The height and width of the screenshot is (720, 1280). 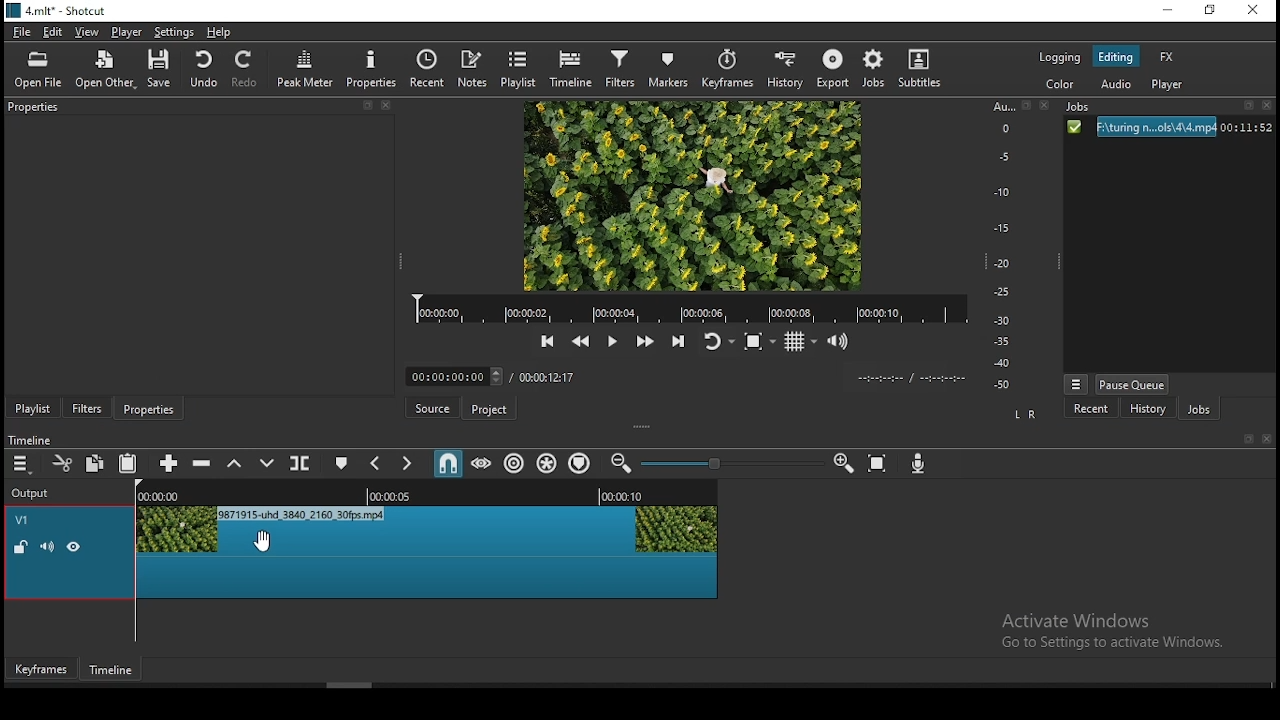 What do you see at coordinates (517, 69) in the screenshot?
I see `playlist` at bounding box center [517, 69].